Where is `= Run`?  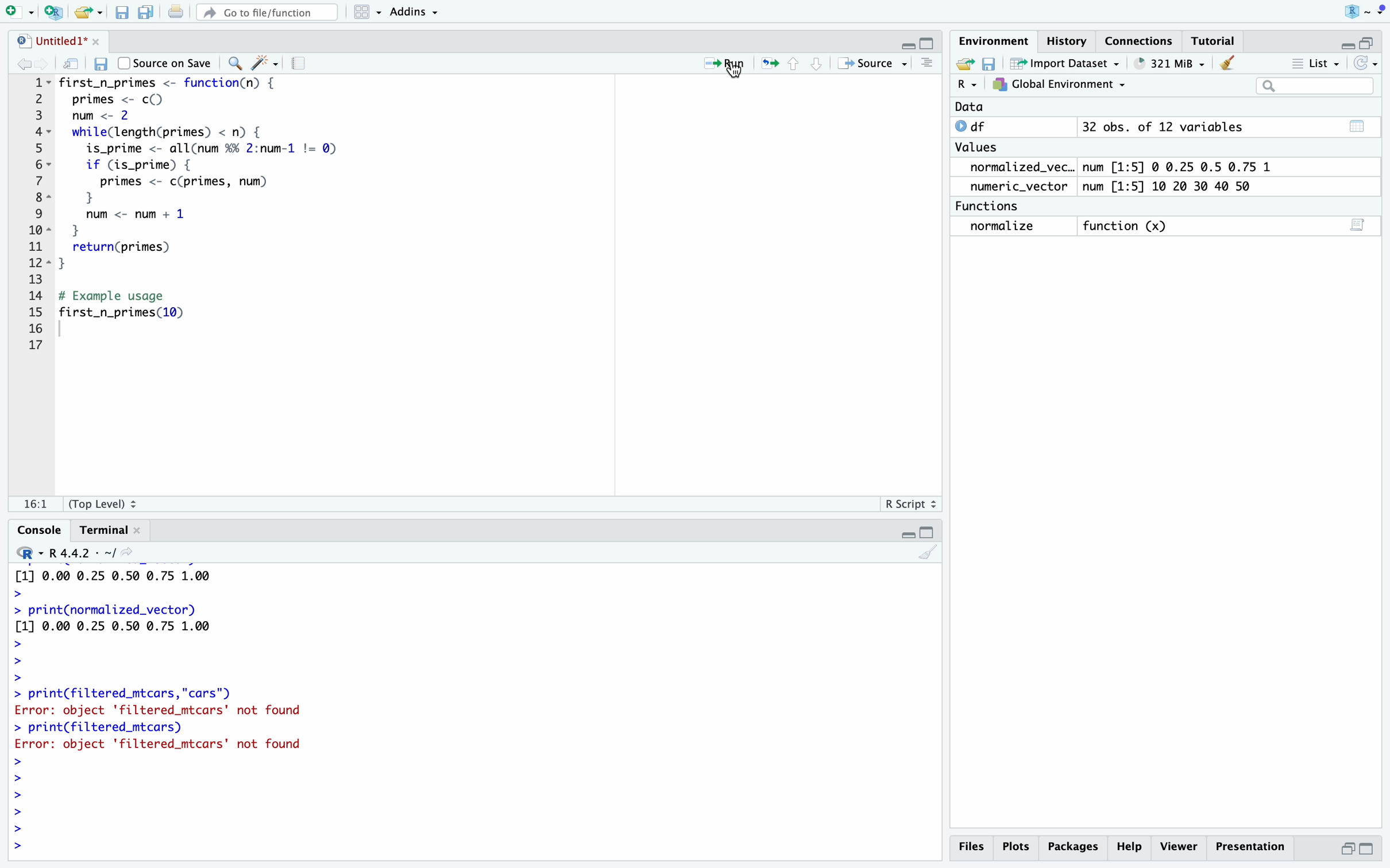
= Run is located at coordinates (727, 63).